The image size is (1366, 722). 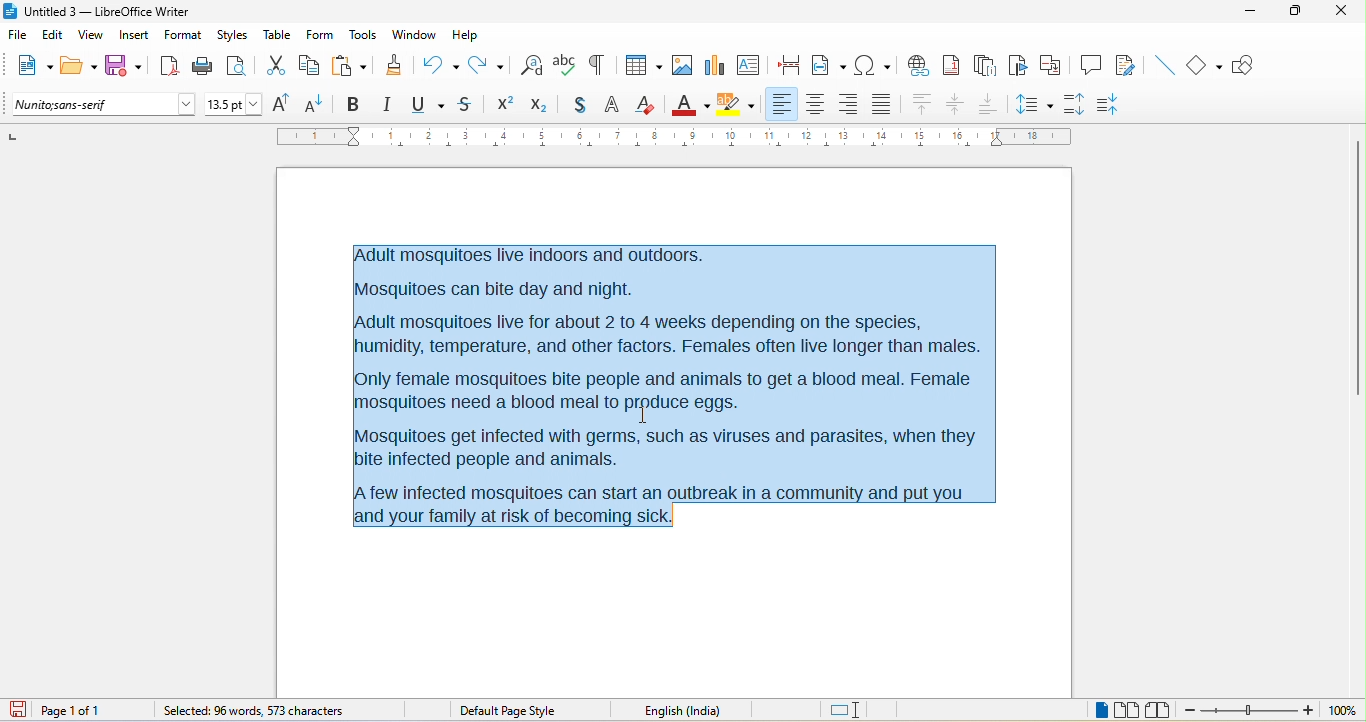 I want to click on cross reference, so click(x=1055, y=65).